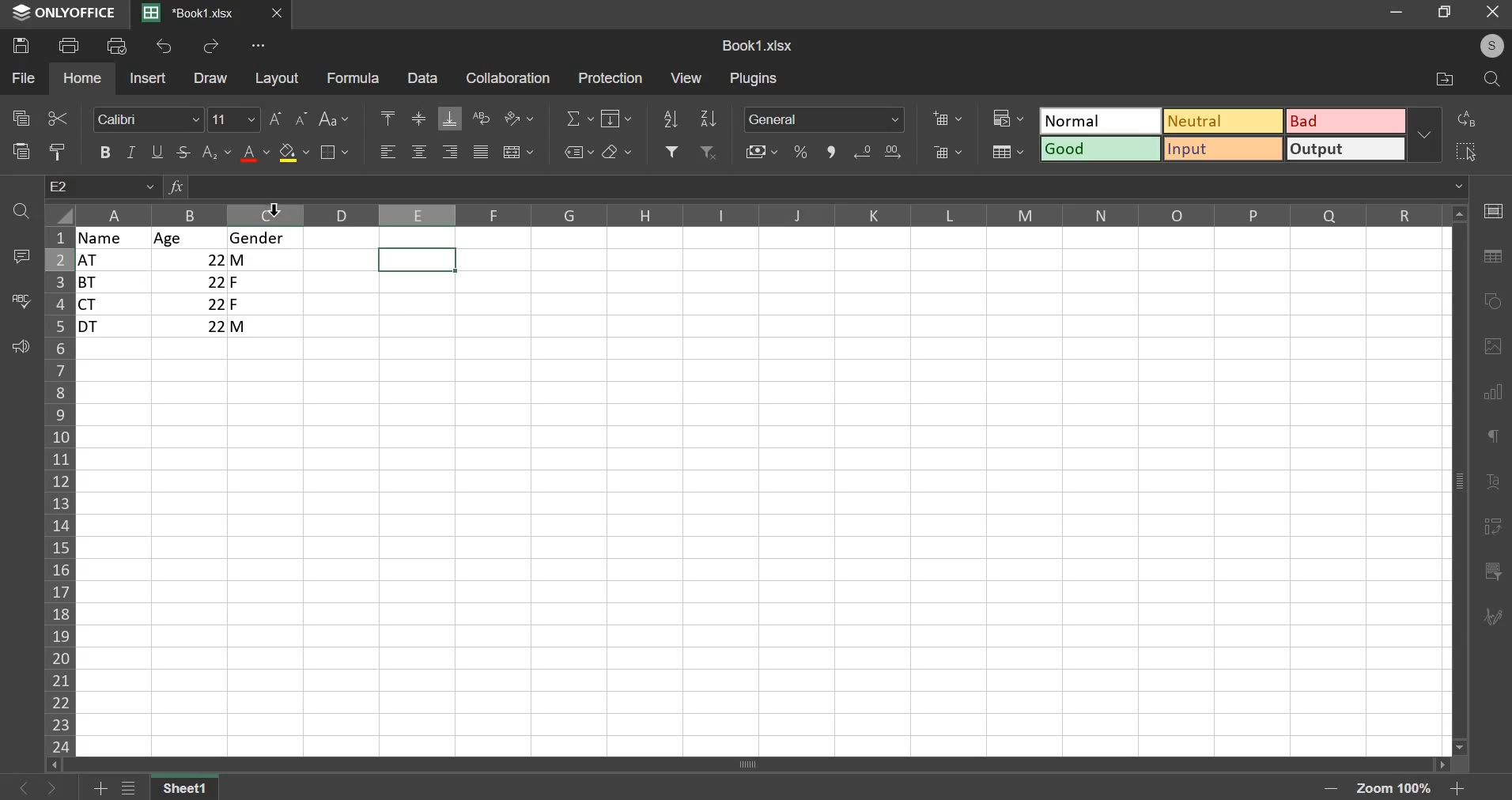 This screenshot has width=1512, height=800. What do you see at coordinates (1469, 148) in the screenshot?
I see `select all` at bounding box center [1469, 148].